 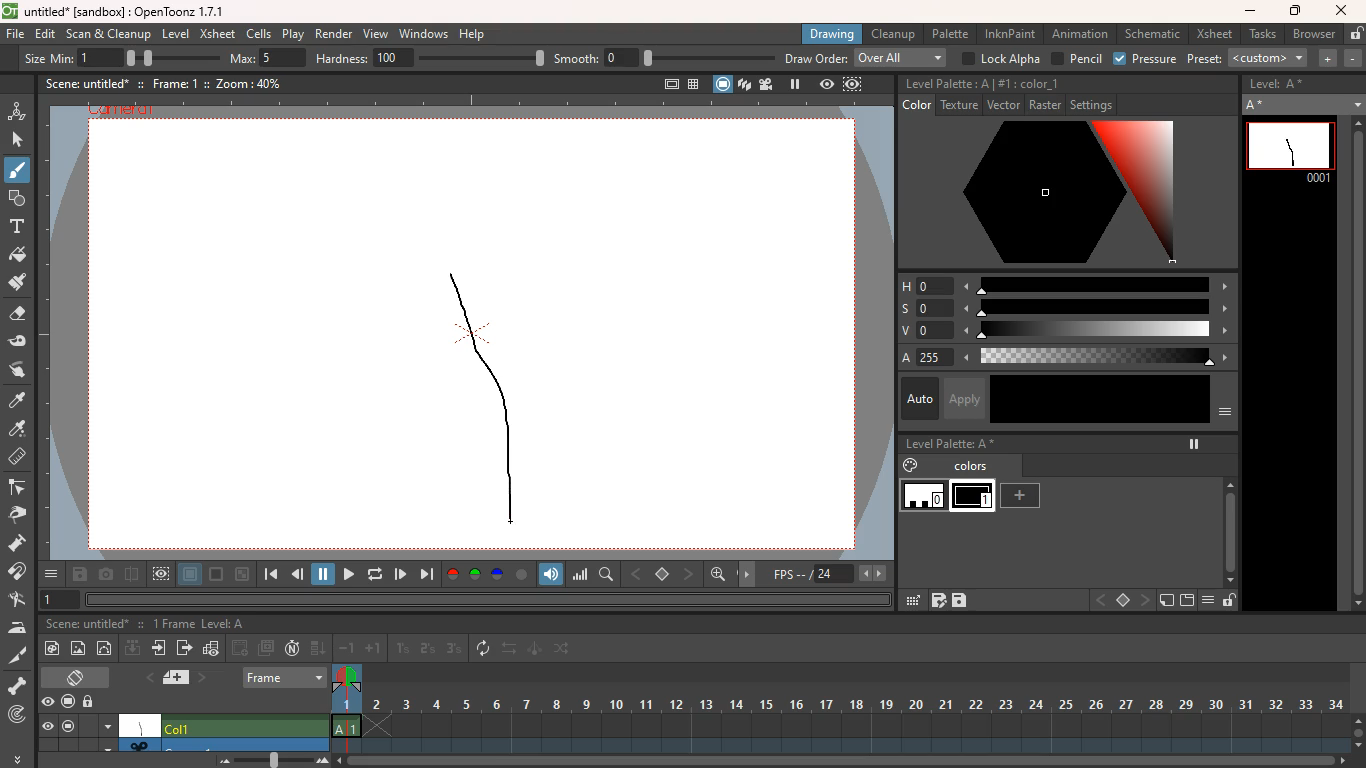 What do you see at coordinates (17, 716) in the screenshot?
I see `locate` at bounding box center [17, 716].